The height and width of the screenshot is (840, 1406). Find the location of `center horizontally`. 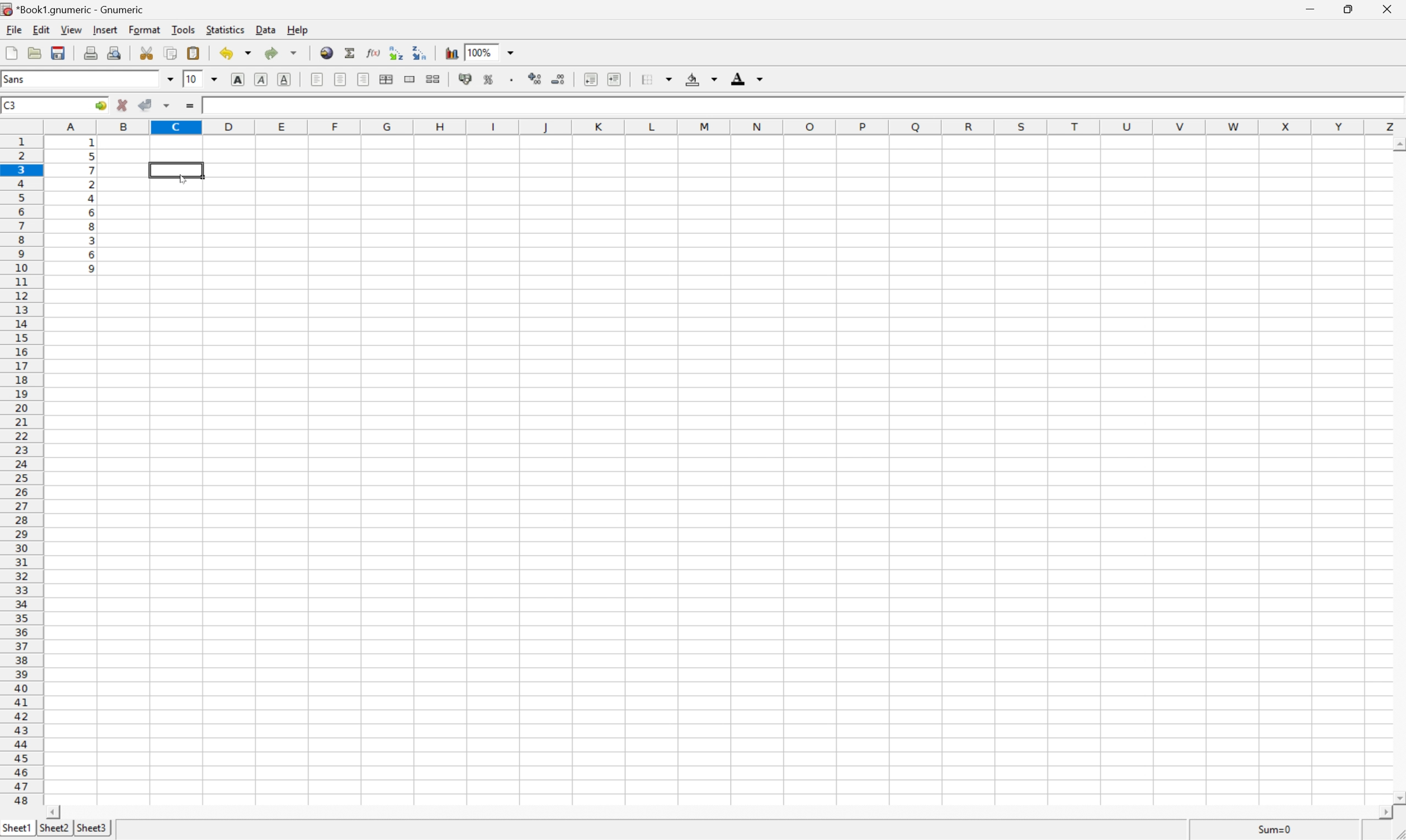

center horizontally is located at coordinates (388, 79).